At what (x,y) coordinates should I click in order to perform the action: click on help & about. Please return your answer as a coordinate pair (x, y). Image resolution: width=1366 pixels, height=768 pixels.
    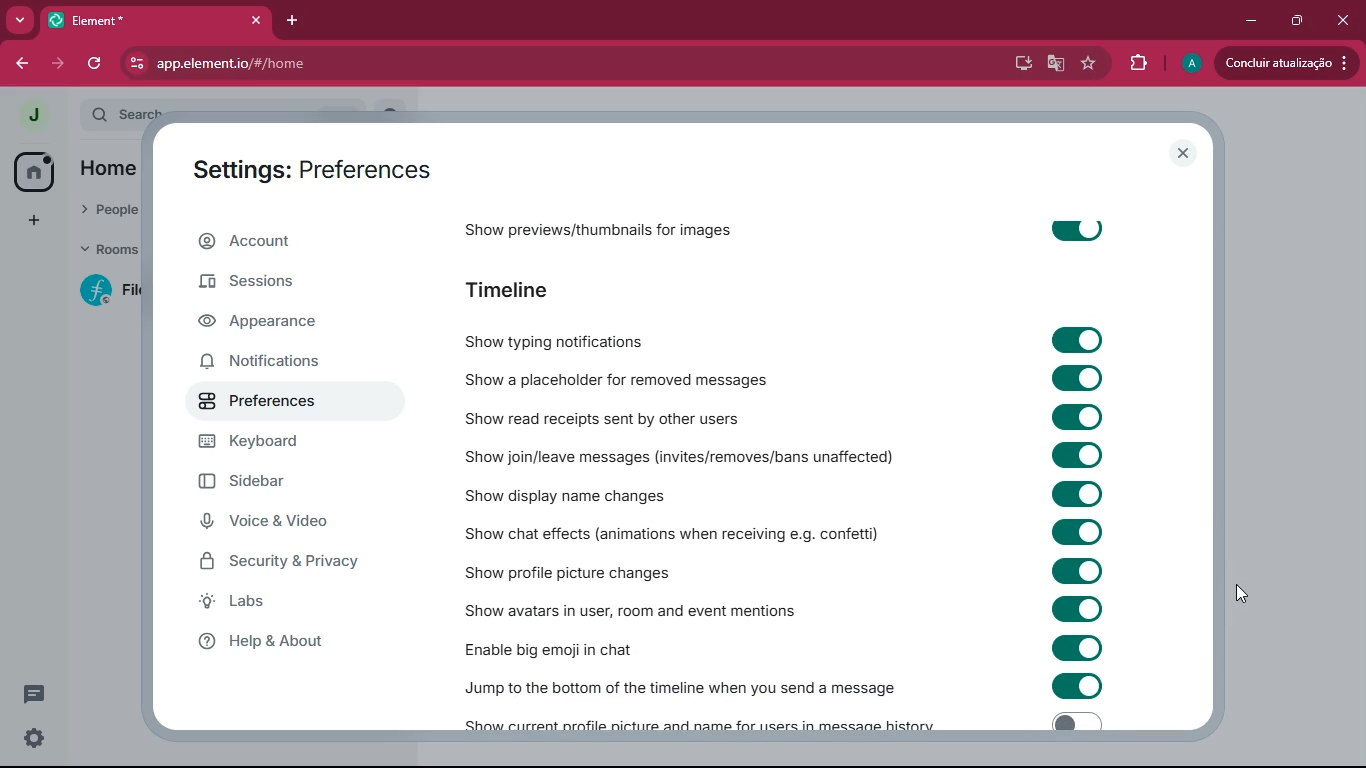
    Looking at the image, I should click on (298, 641).